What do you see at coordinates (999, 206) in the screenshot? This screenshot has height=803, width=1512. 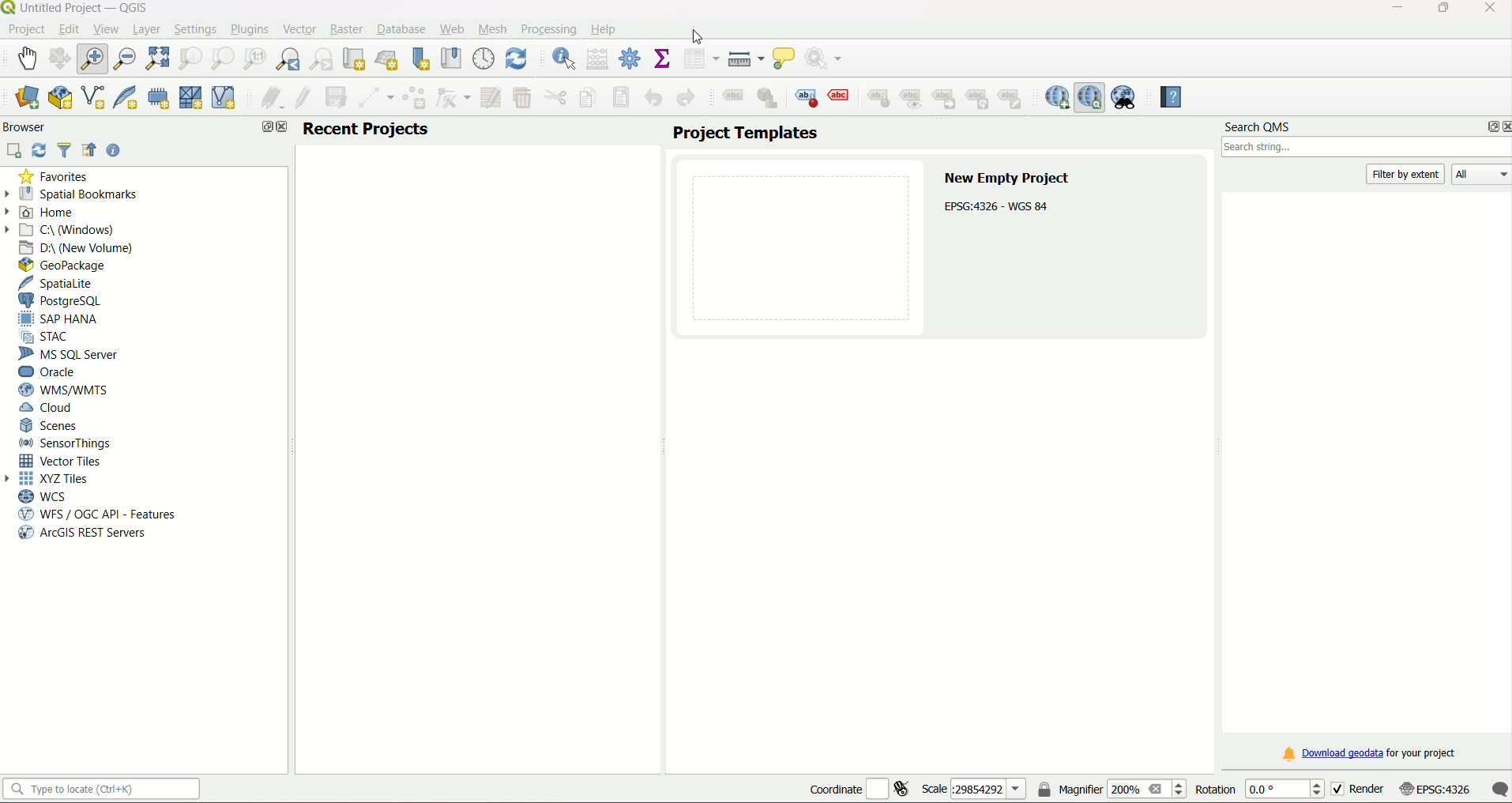 I see `text` at bounding box center [999, 206].